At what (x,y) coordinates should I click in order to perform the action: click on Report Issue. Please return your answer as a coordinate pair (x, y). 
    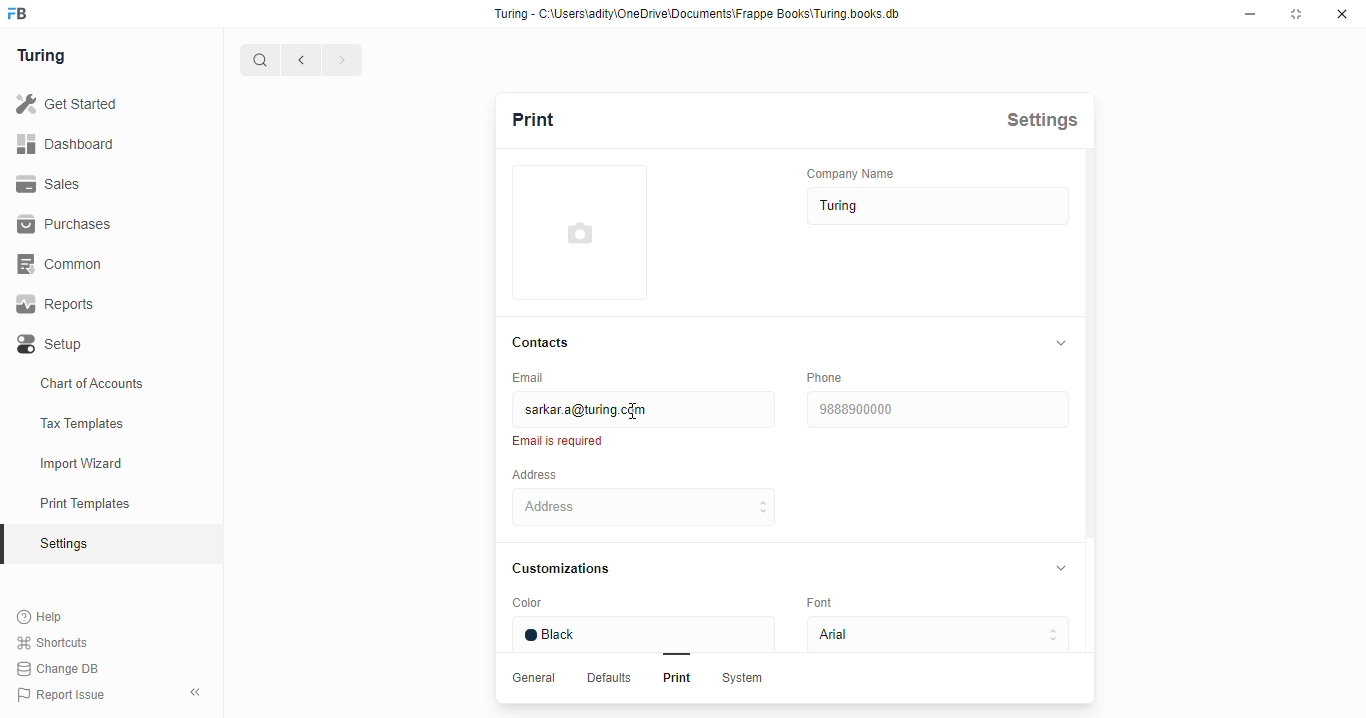
    Looking at the image, I should click on (70, 692).